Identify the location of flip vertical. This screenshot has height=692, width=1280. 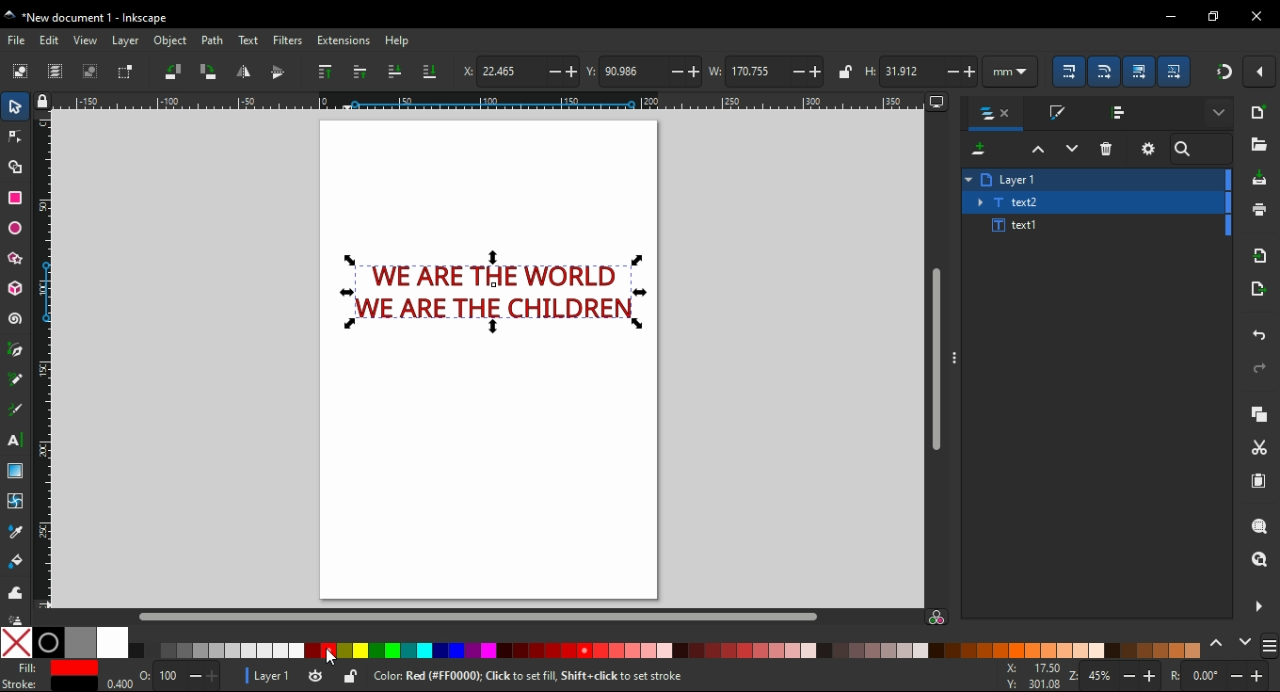
(278, 72).